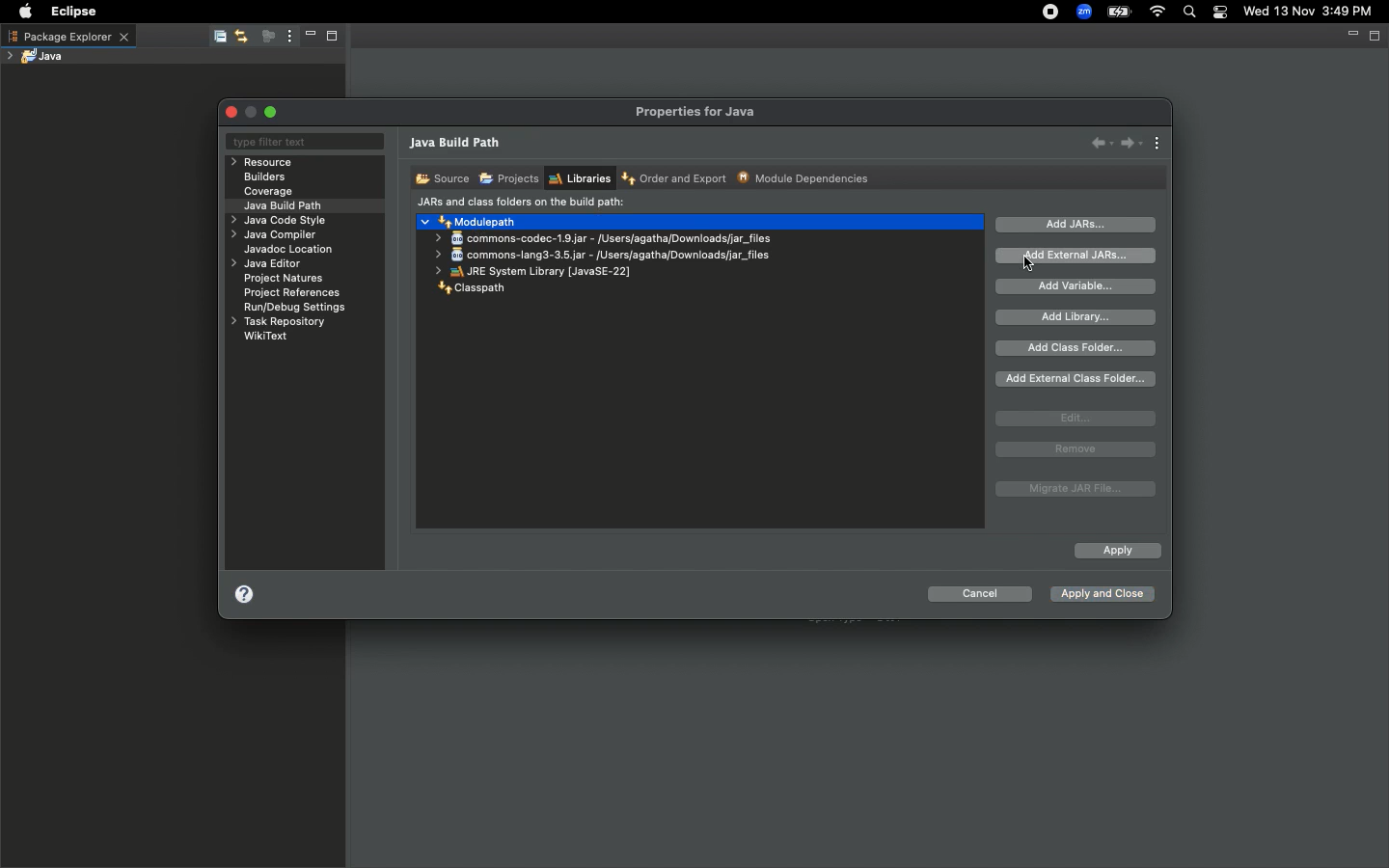 The width and height of the screenshot is (1389, 868). I want to click on Collapse all, so click(218, 38).